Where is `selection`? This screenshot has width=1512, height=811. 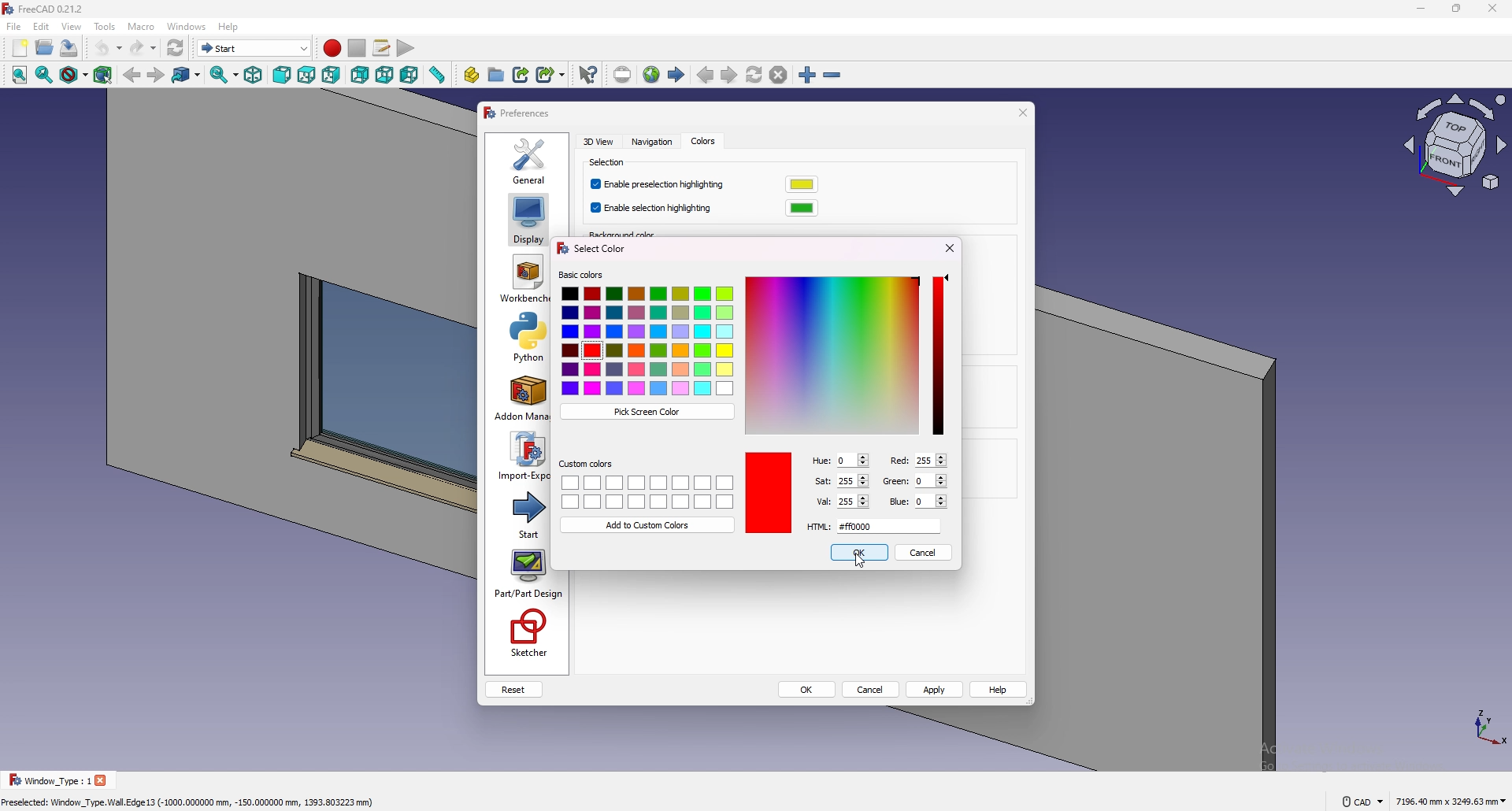
selection is located at coordinates (610, 163).